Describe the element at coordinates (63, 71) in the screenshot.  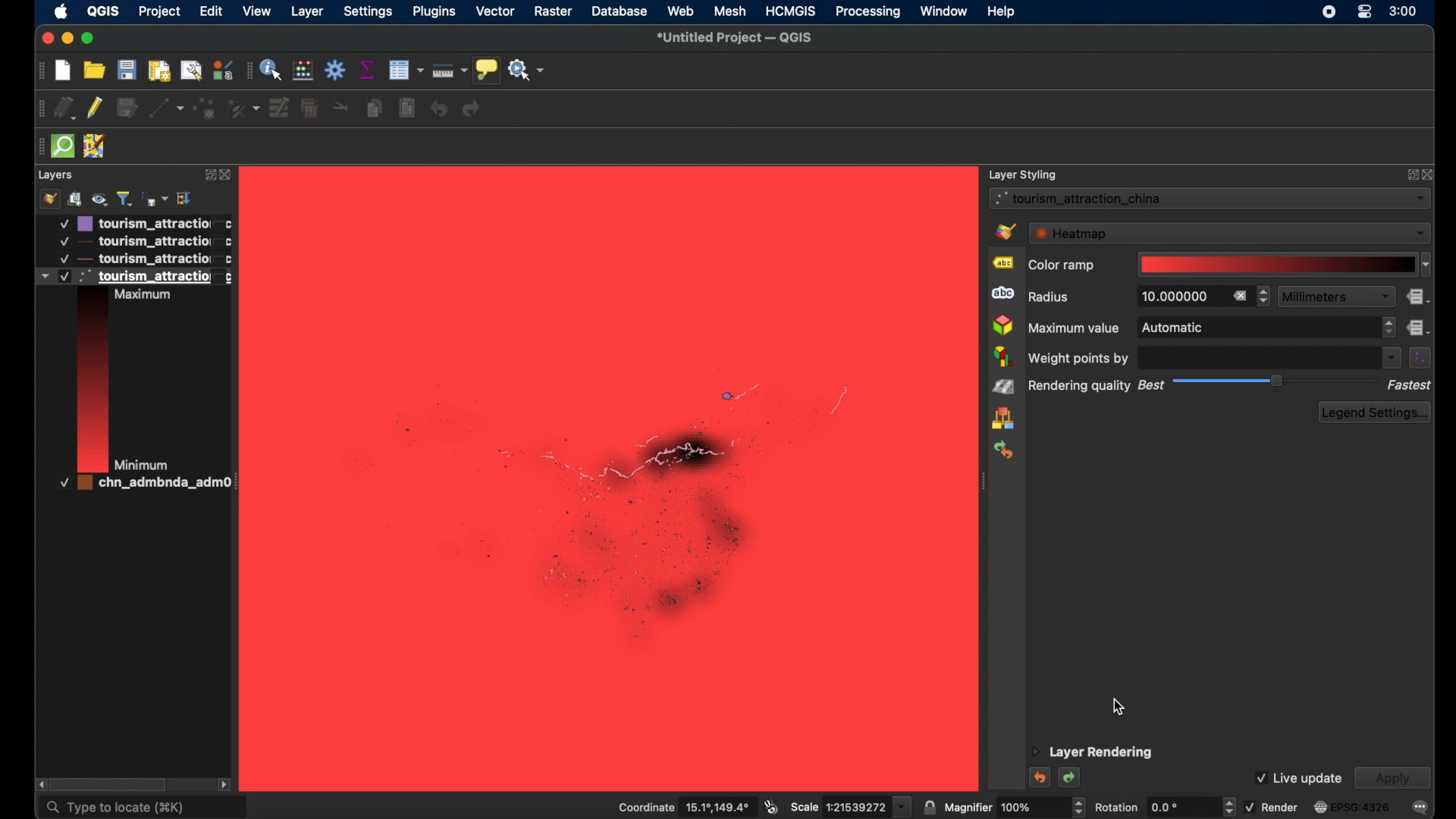
I see `new project` at that location.